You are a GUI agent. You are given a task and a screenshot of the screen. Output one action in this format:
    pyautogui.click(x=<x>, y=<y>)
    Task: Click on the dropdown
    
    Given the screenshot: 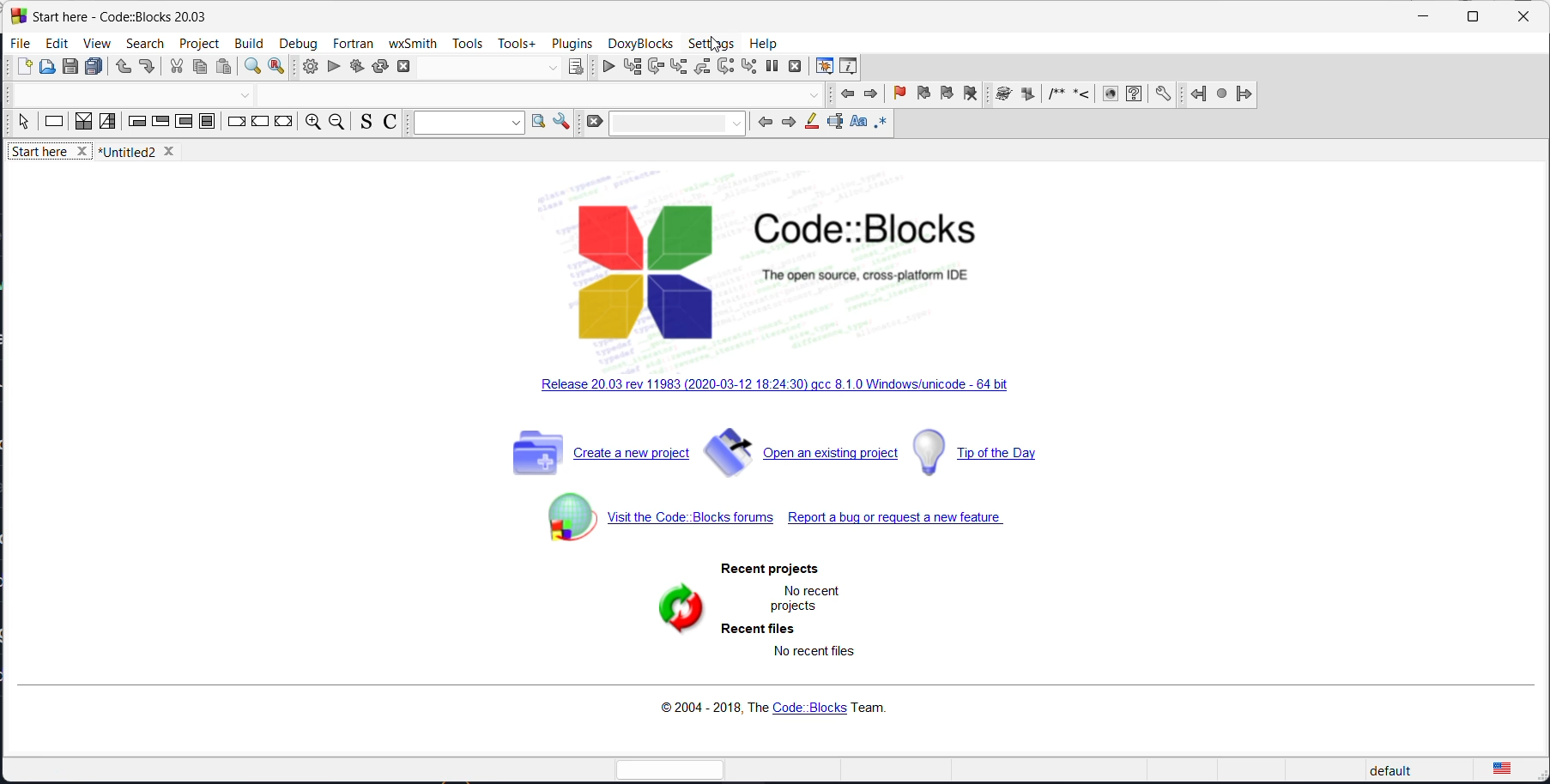 What is the action you would take?
    pyautogui.click(x=814, y=96)
    